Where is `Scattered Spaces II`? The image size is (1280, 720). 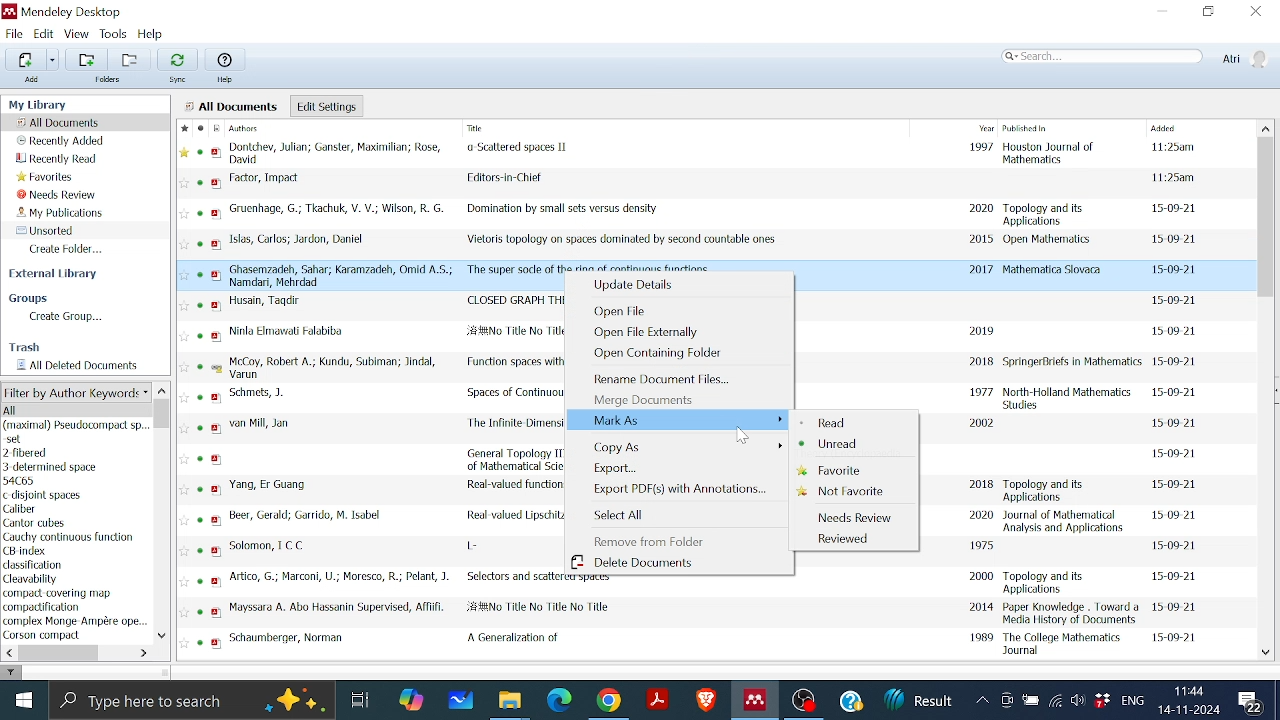
Scattered Spaces II is located at coordinates (706, 153).